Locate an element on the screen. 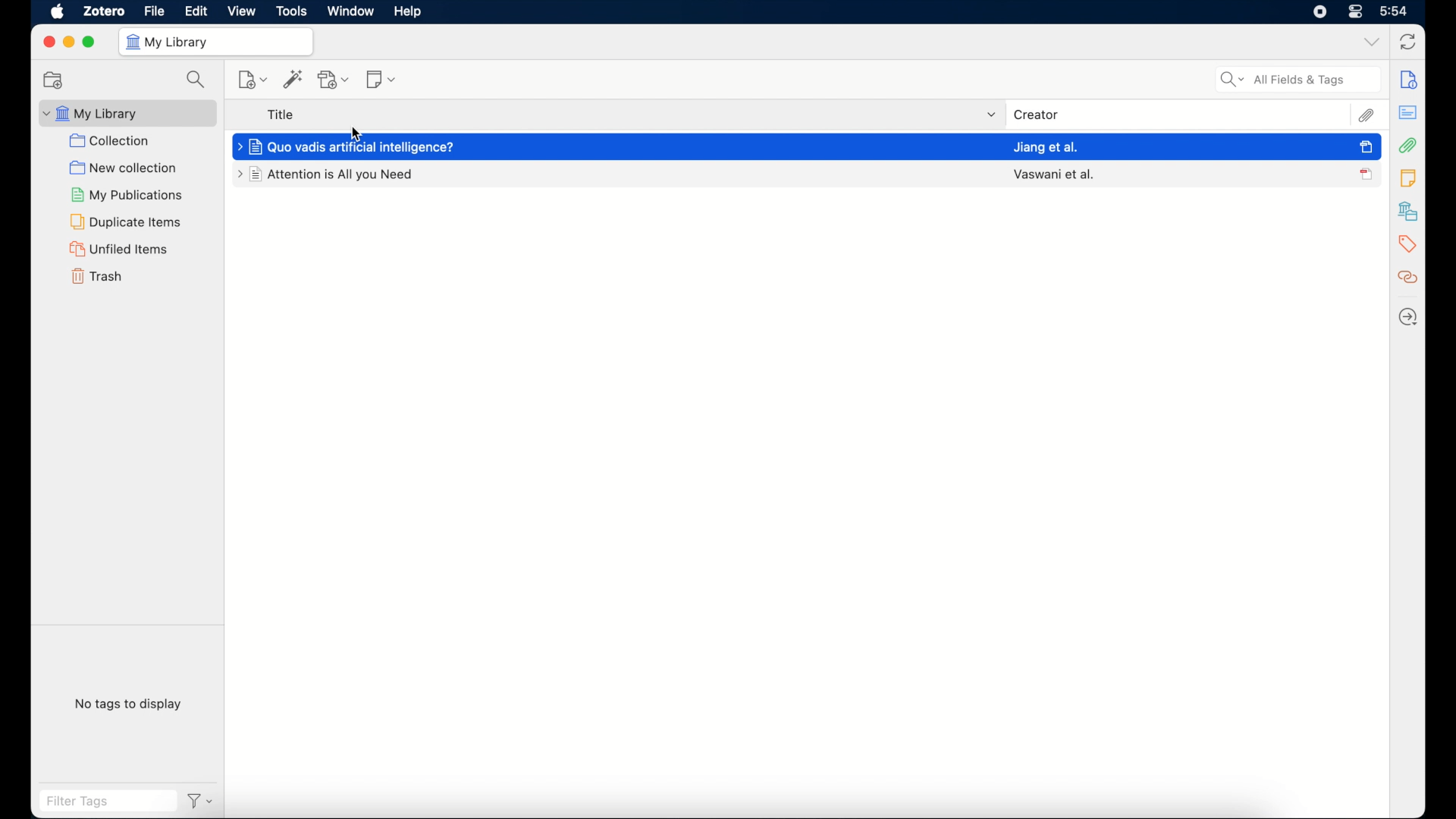 The image size is (1456, 819). related is located at coordinates (1408, 277).